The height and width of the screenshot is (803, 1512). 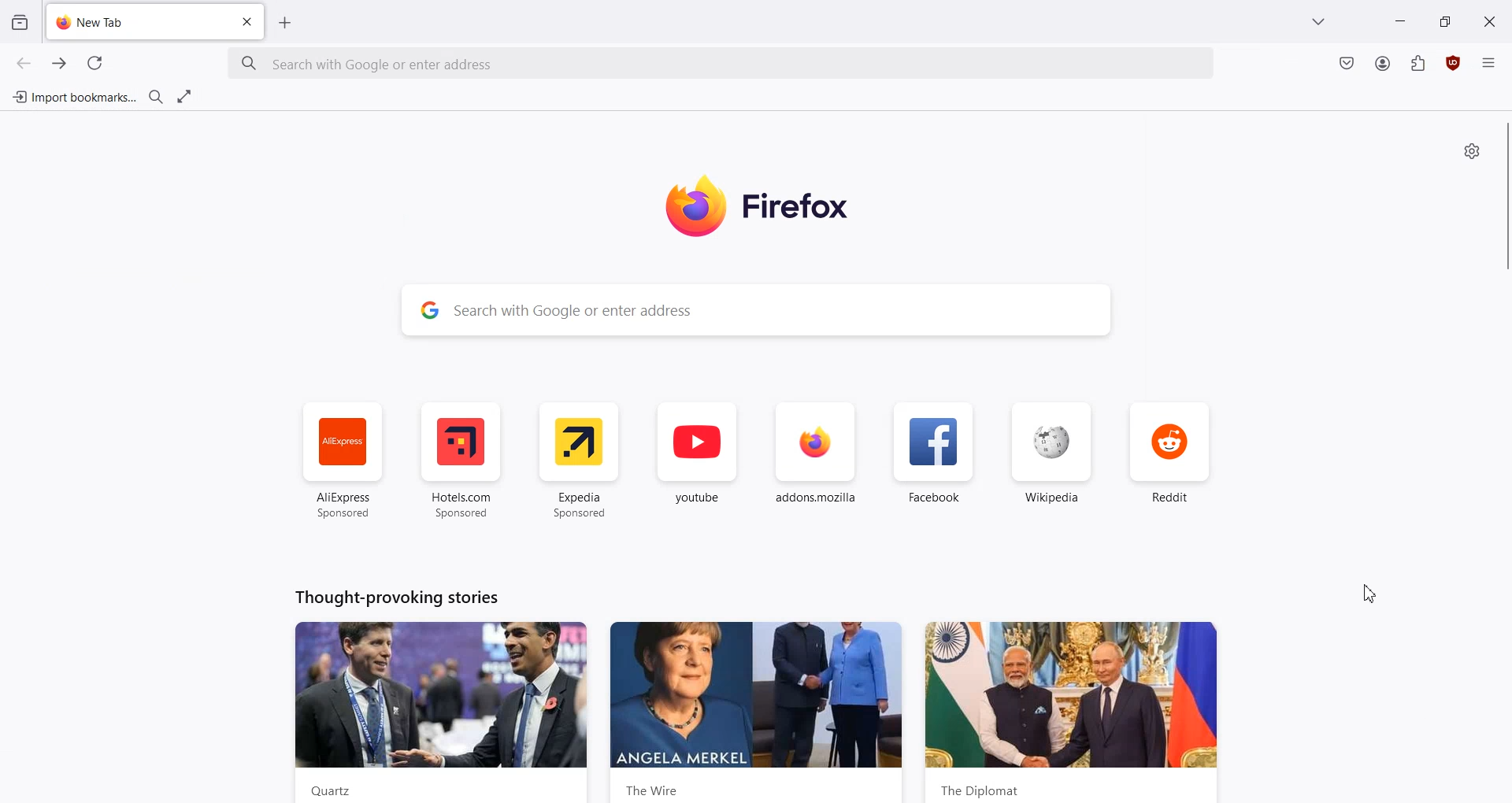 I want to click on Account, so click(x=1382, y=64).